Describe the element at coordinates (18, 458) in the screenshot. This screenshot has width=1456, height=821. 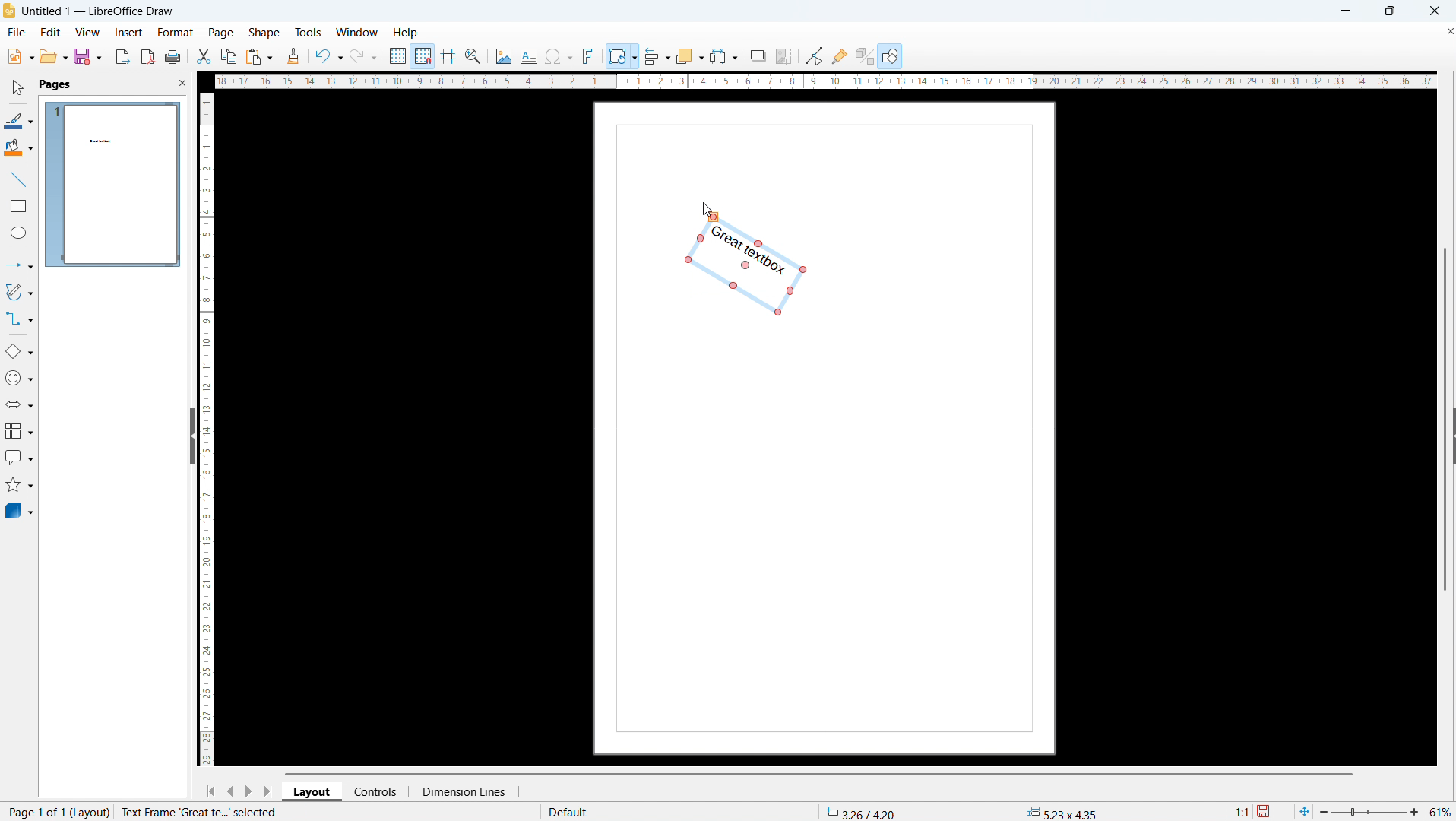
I see `callout shapes` at that location.